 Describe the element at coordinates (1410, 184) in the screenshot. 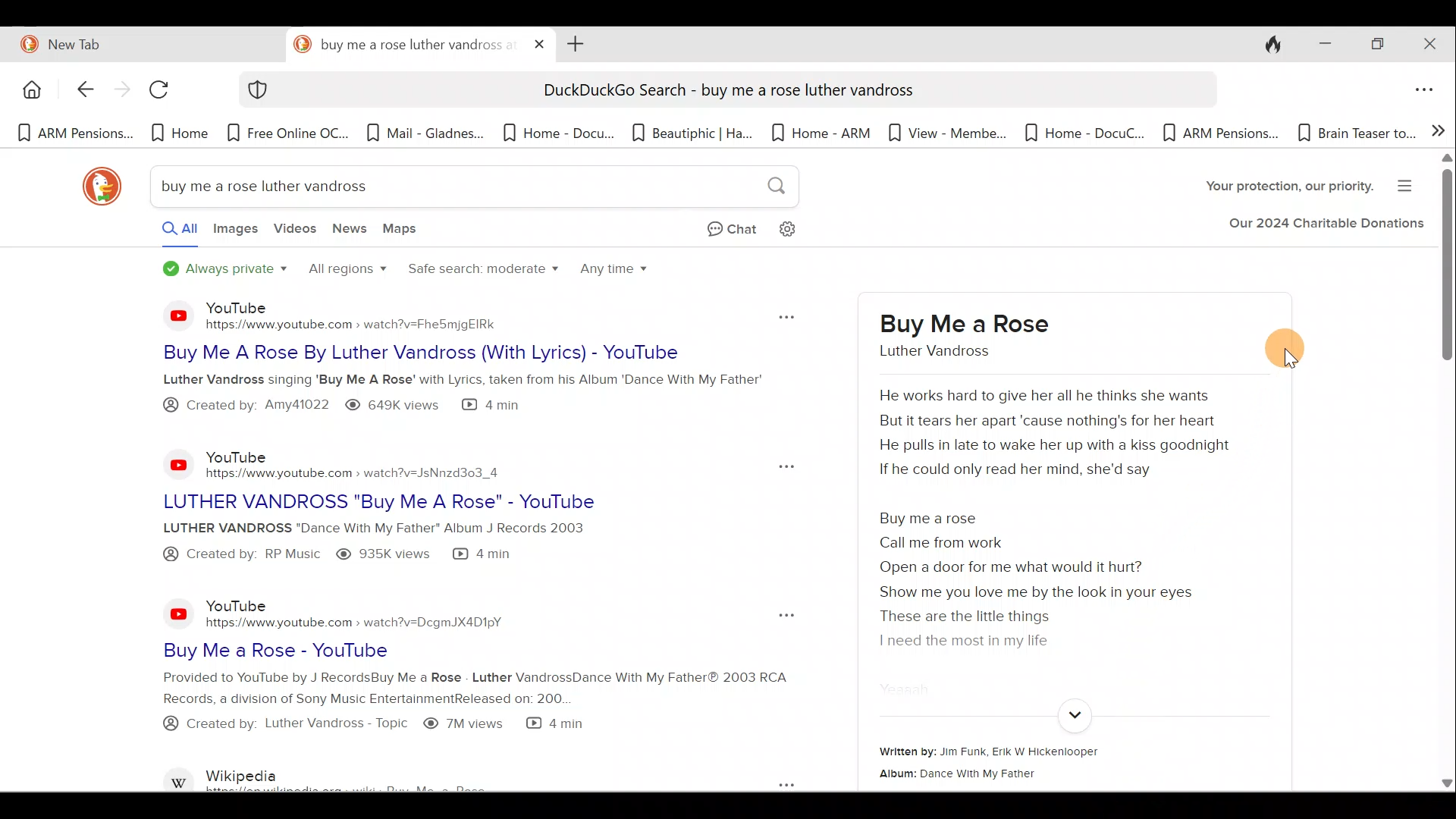

I see `Menu` at that location.